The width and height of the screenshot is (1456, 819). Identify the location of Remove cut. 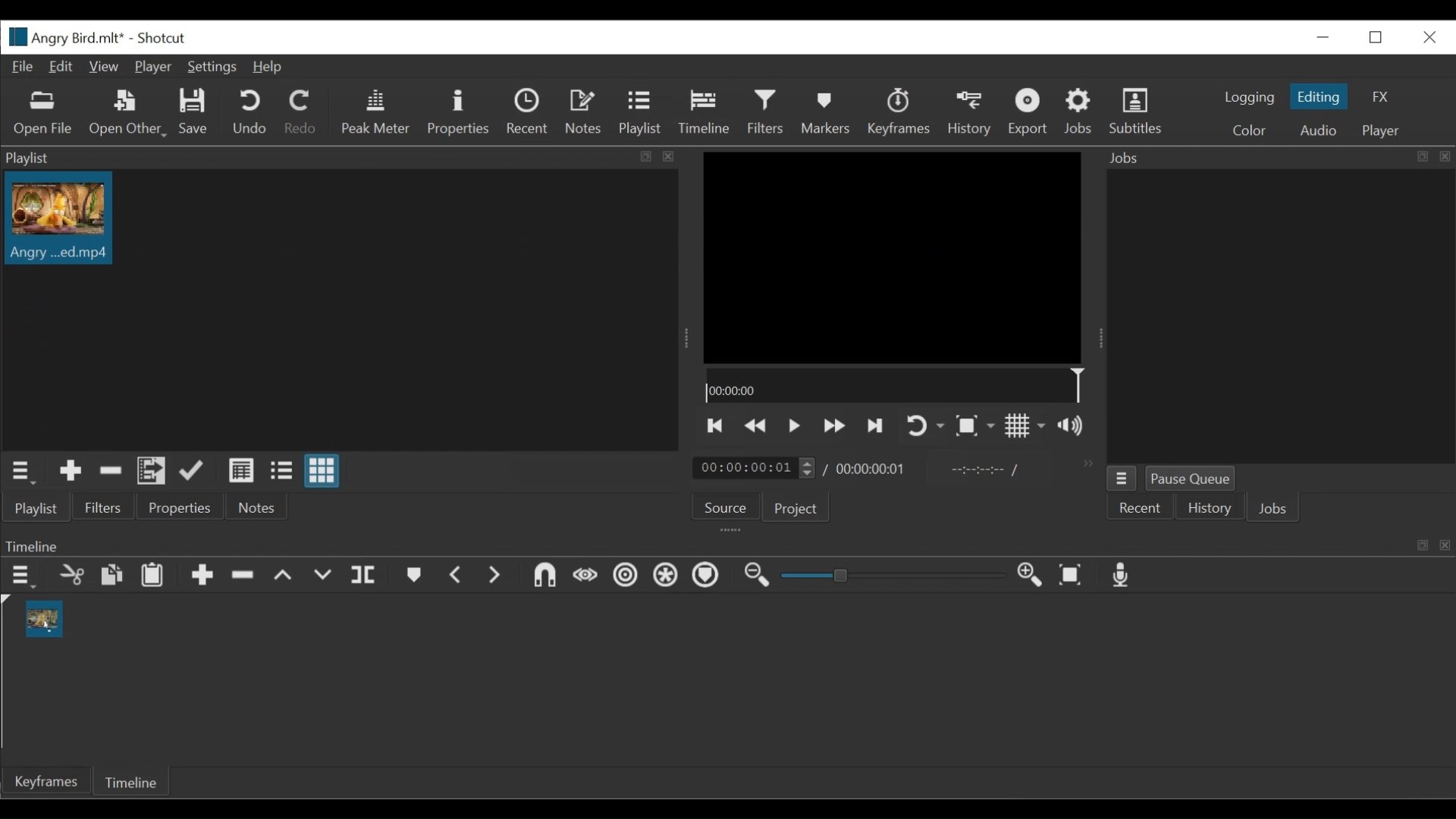
(112, 474).